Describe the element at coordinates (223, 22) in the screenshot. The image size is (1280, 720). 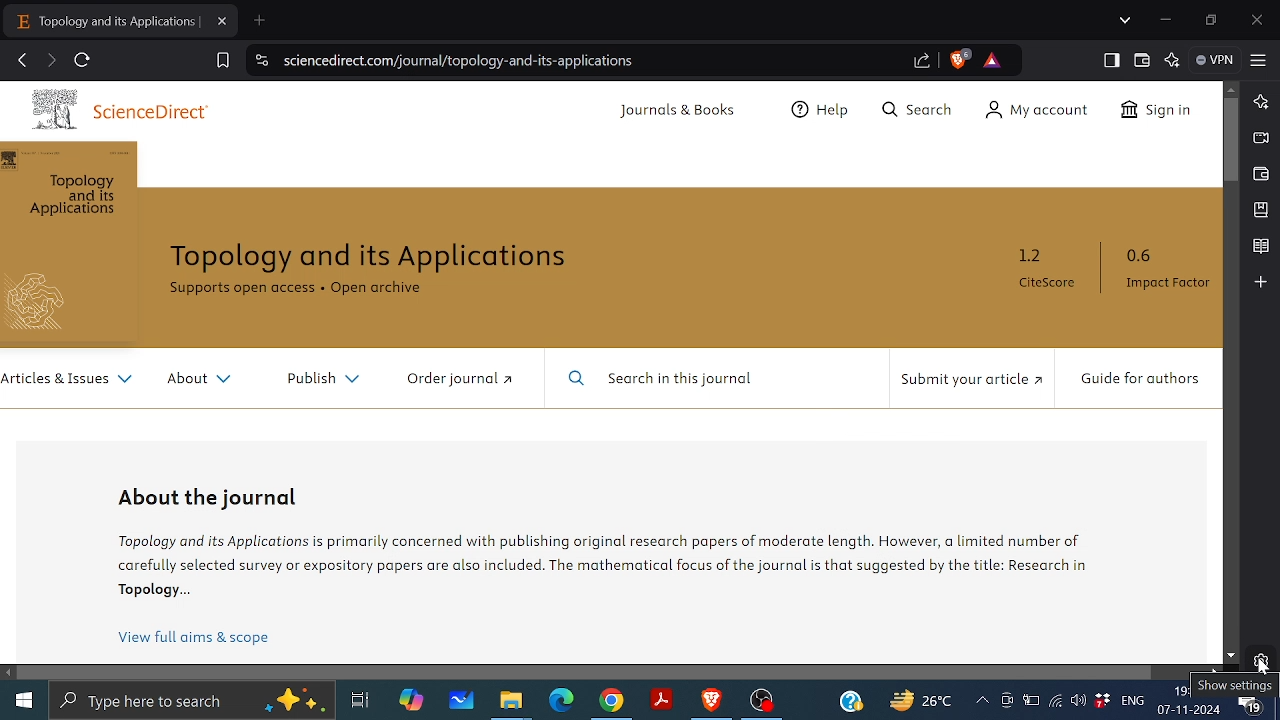
I see `Close current tab` at that location.